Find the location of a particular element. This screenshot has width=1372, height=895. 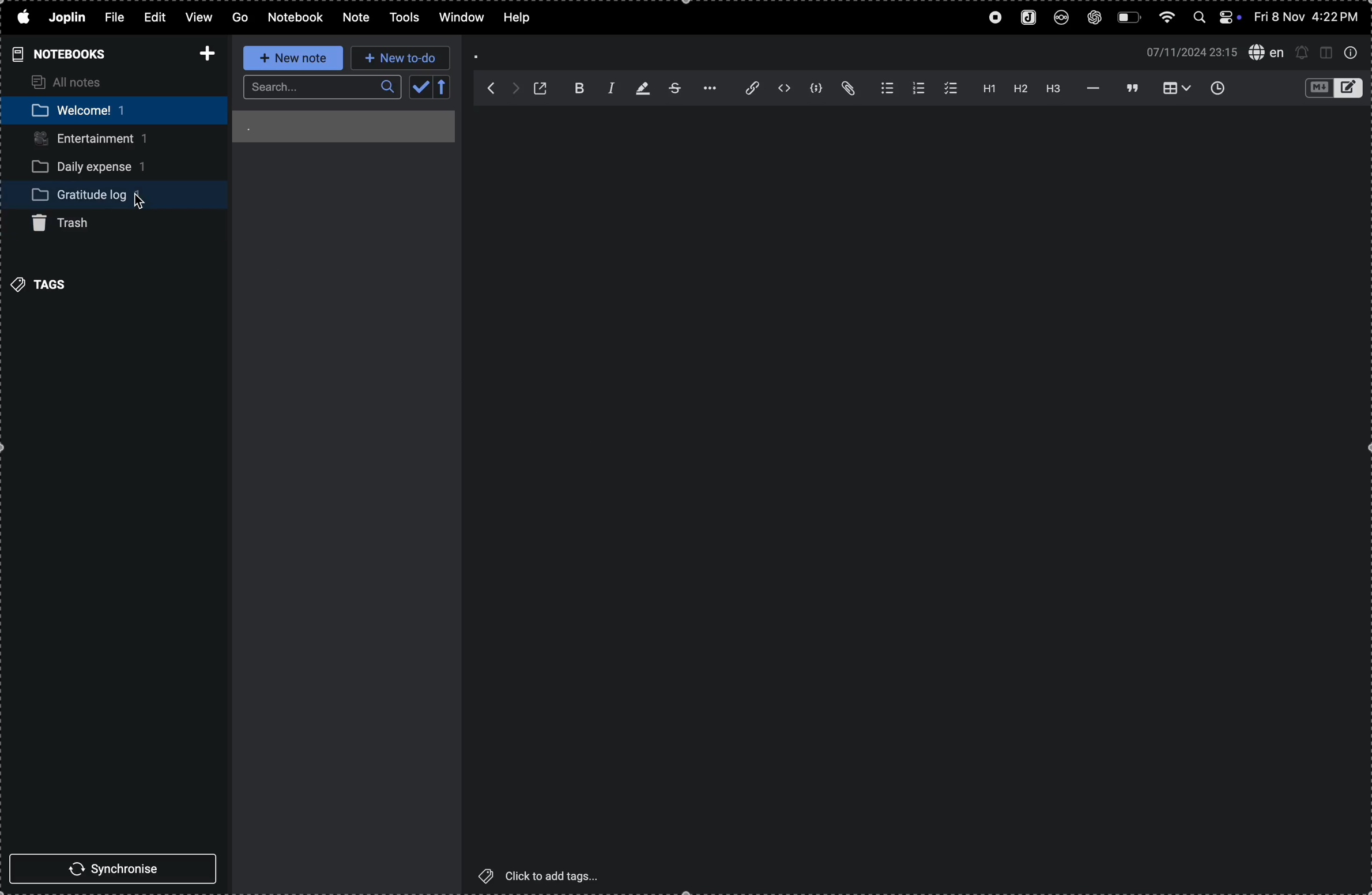

create new alert is located at coordinates (1301, 52).